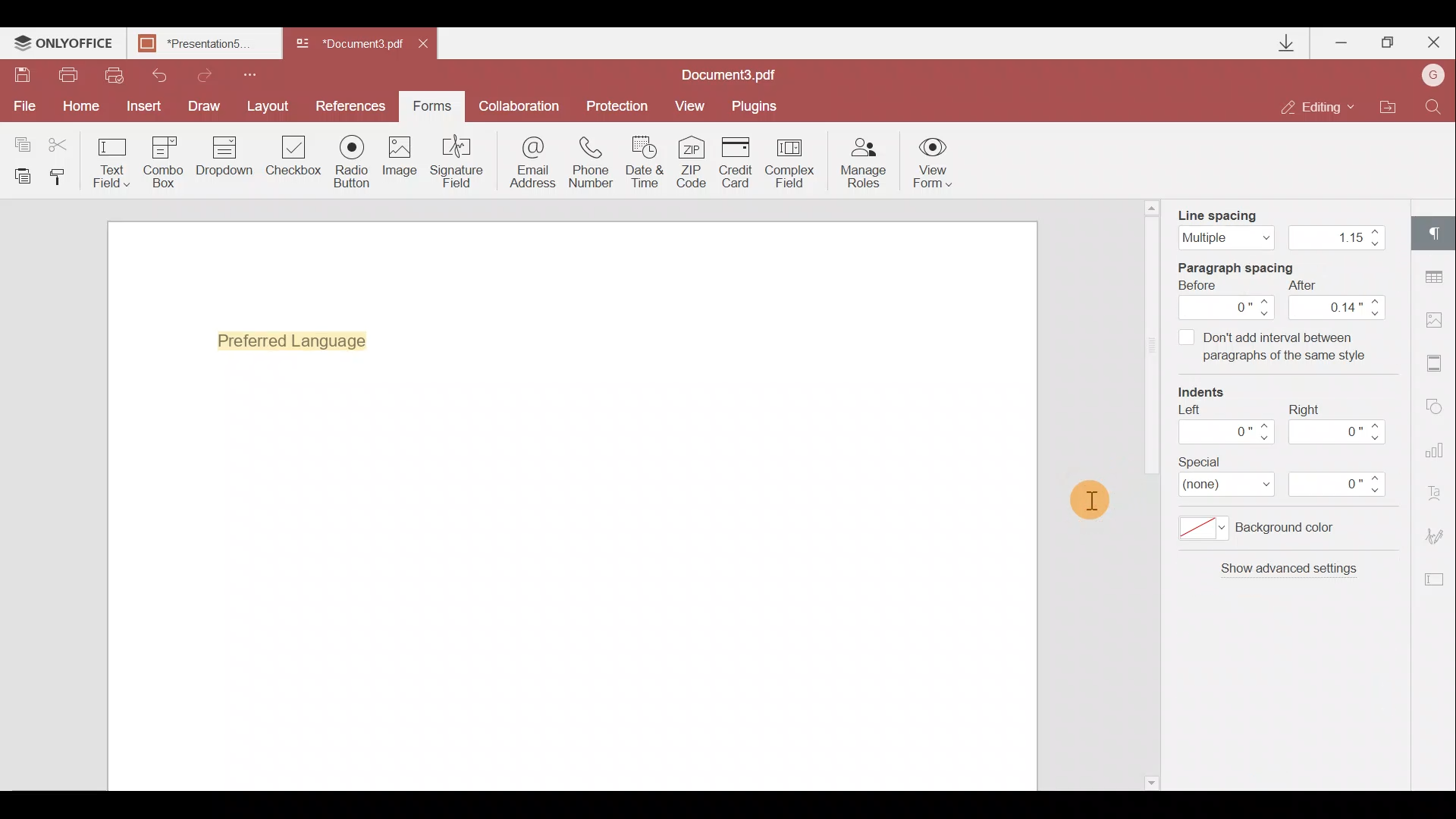 The image size is (1456, 819). I want to click on After, so click(1300, 284).